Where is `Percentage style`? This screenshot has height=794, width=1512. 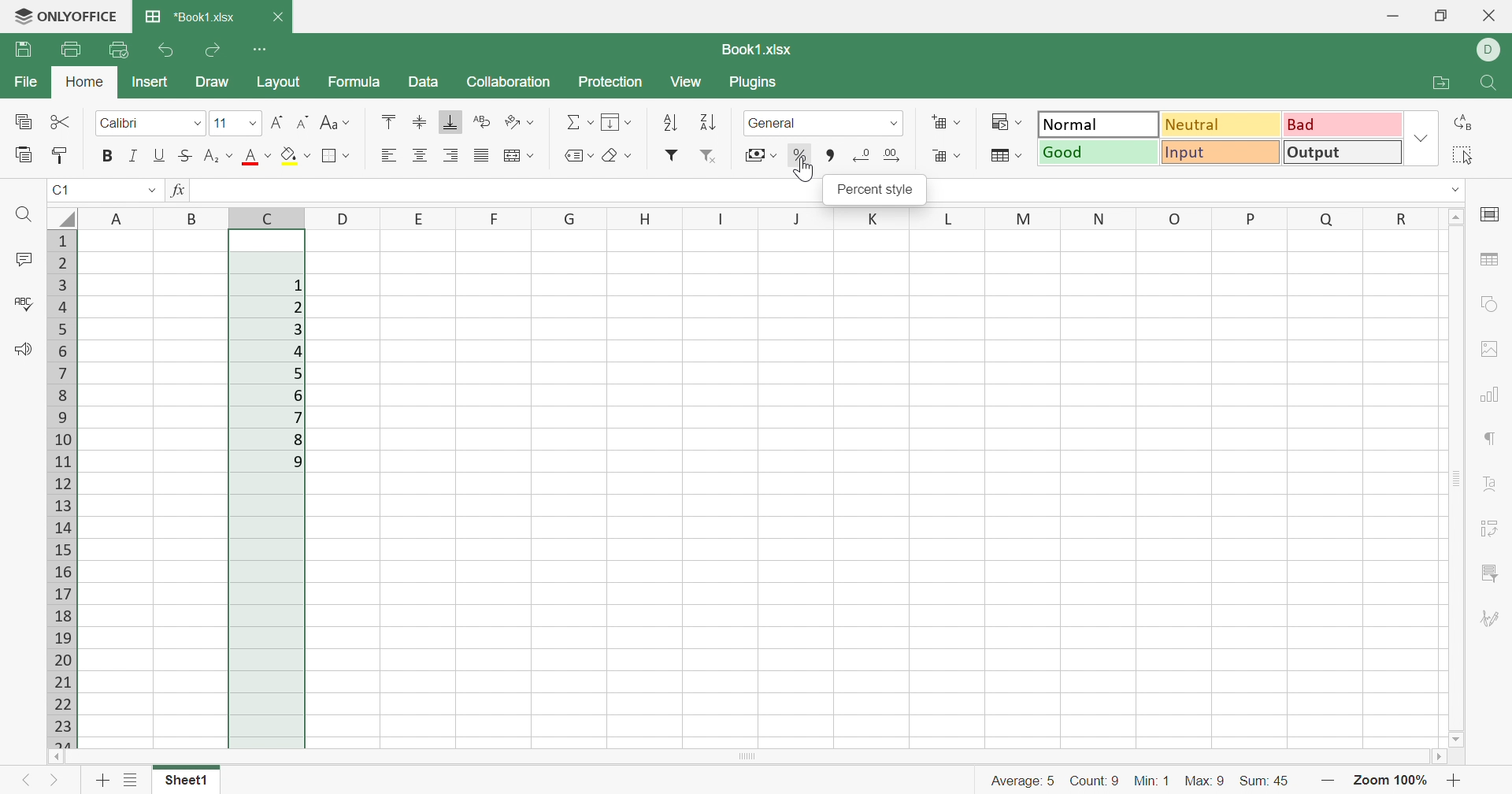 Percentage style is located at coordinates (798, 155).